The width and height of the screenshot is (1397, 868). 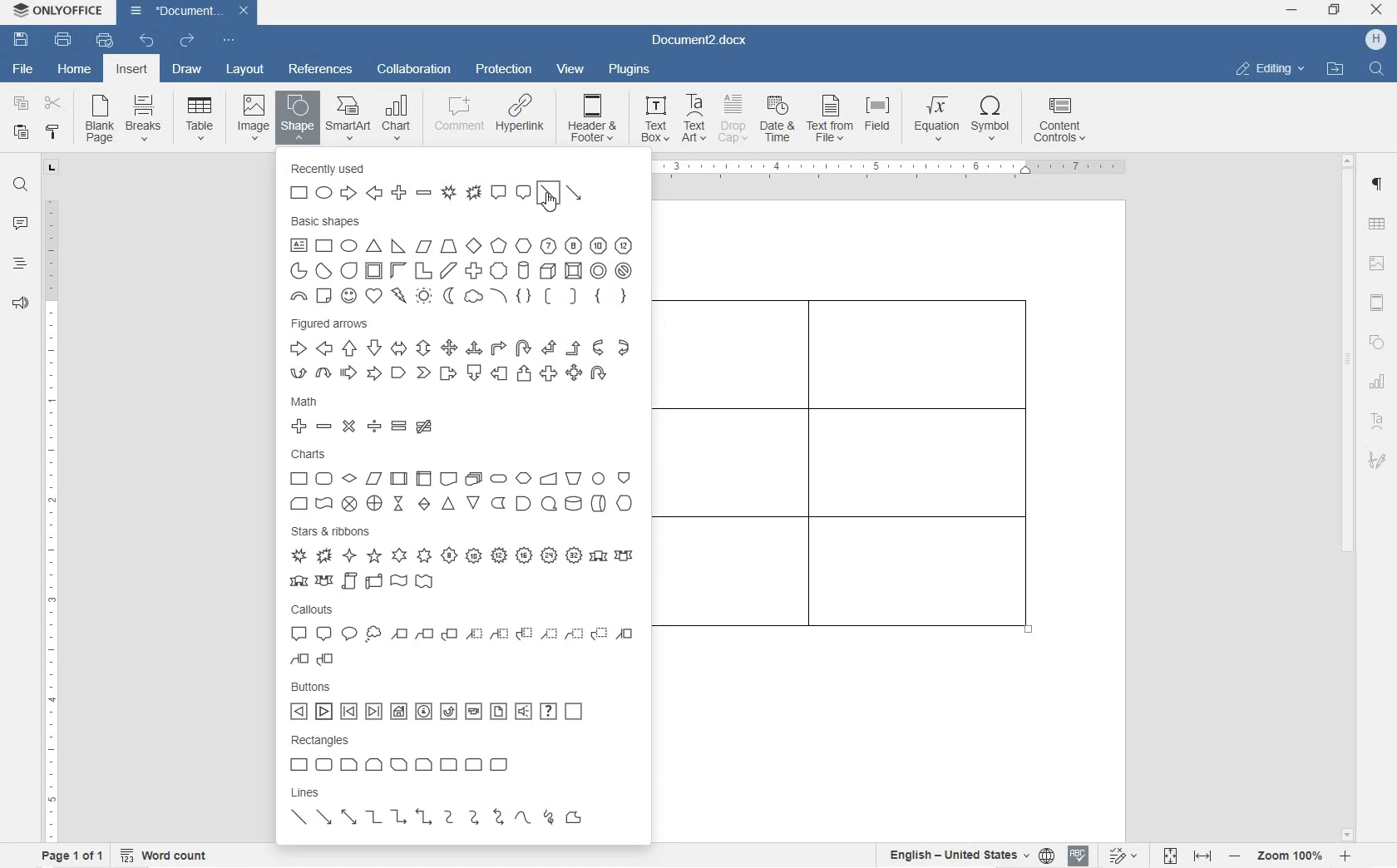 What do you see at coordinates (1376, 264) in the screenshot?
I see `image settings` at bounding box center [1376, 264].